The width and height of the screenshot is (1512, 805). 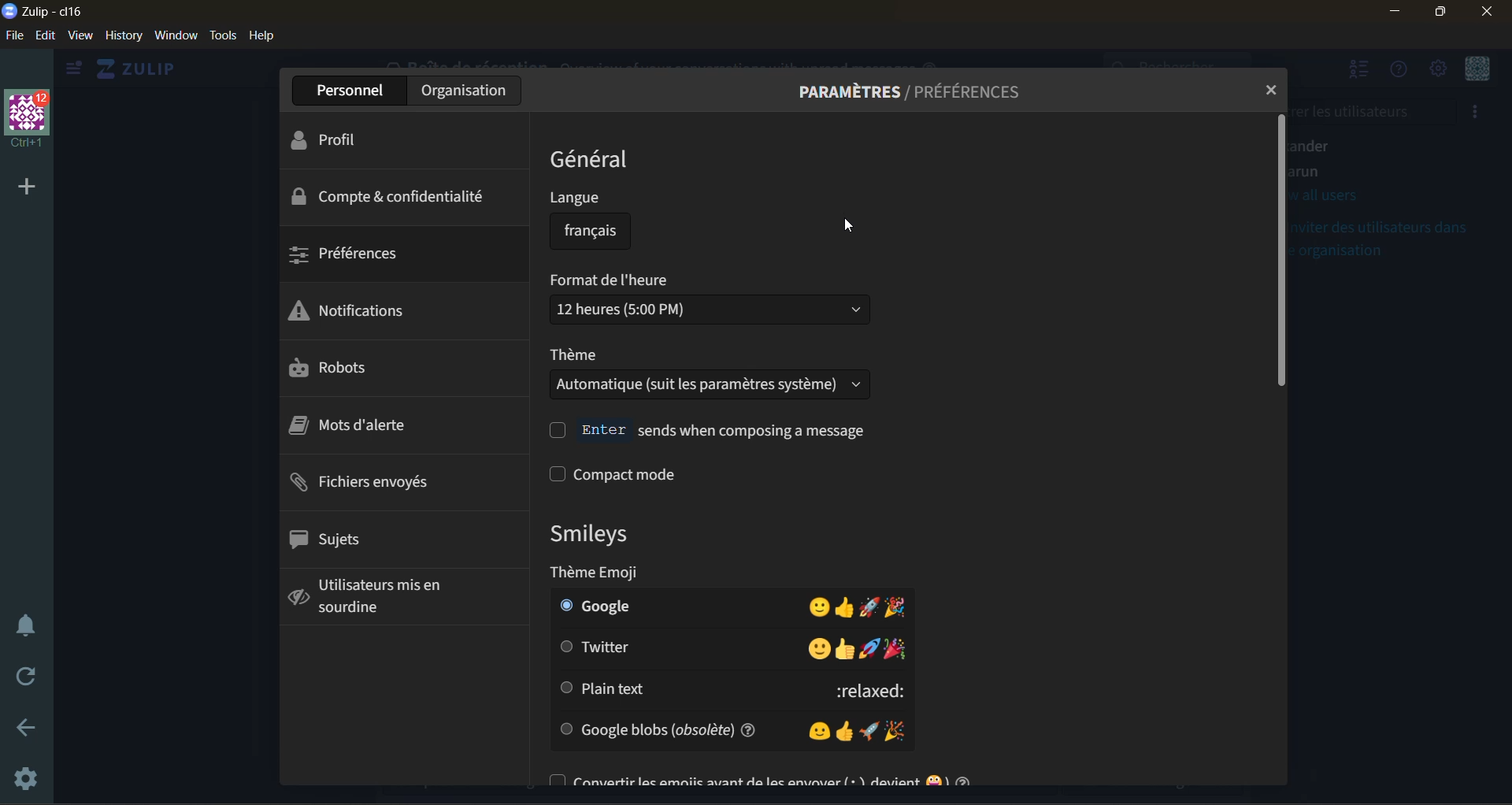 What do you see at coordinates (20, 678) in the screenshot?
I see `reload` at bounding box center [20, 678].